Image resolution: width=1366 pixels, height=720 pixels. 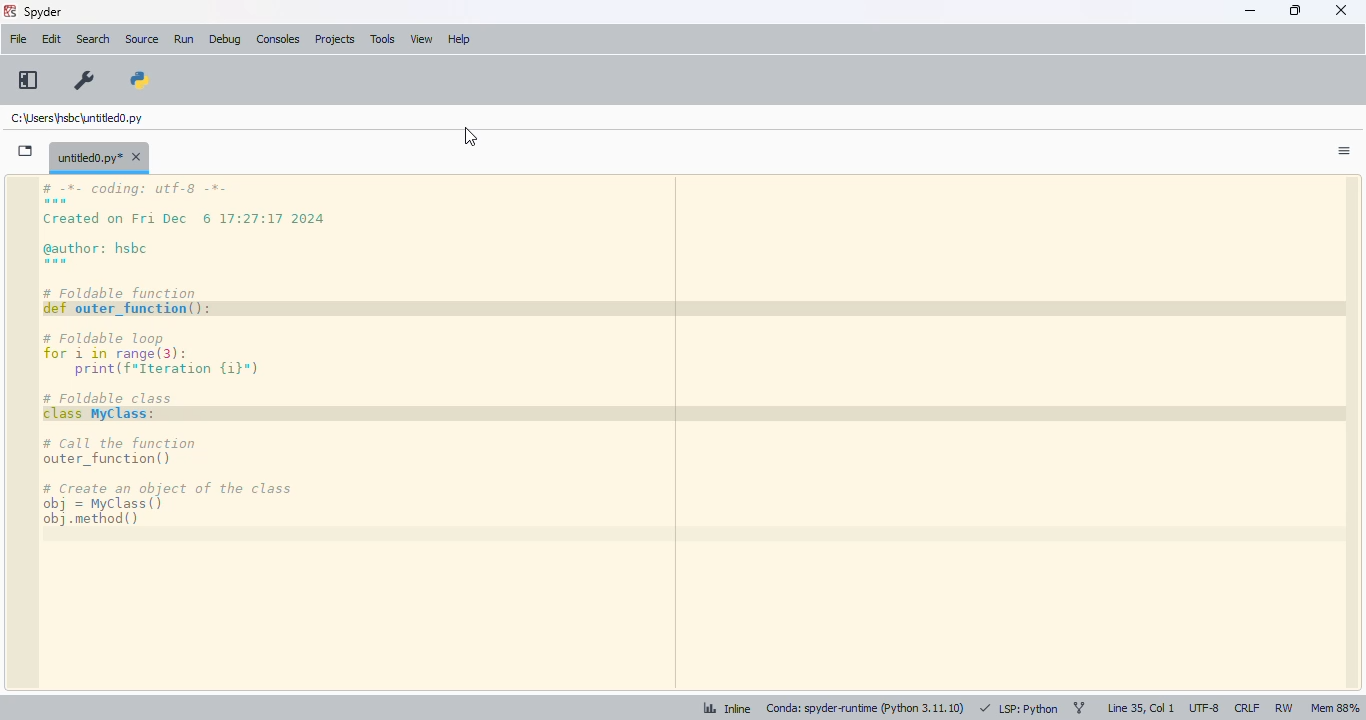 I want to click on projects, so click(x=336, y=40).